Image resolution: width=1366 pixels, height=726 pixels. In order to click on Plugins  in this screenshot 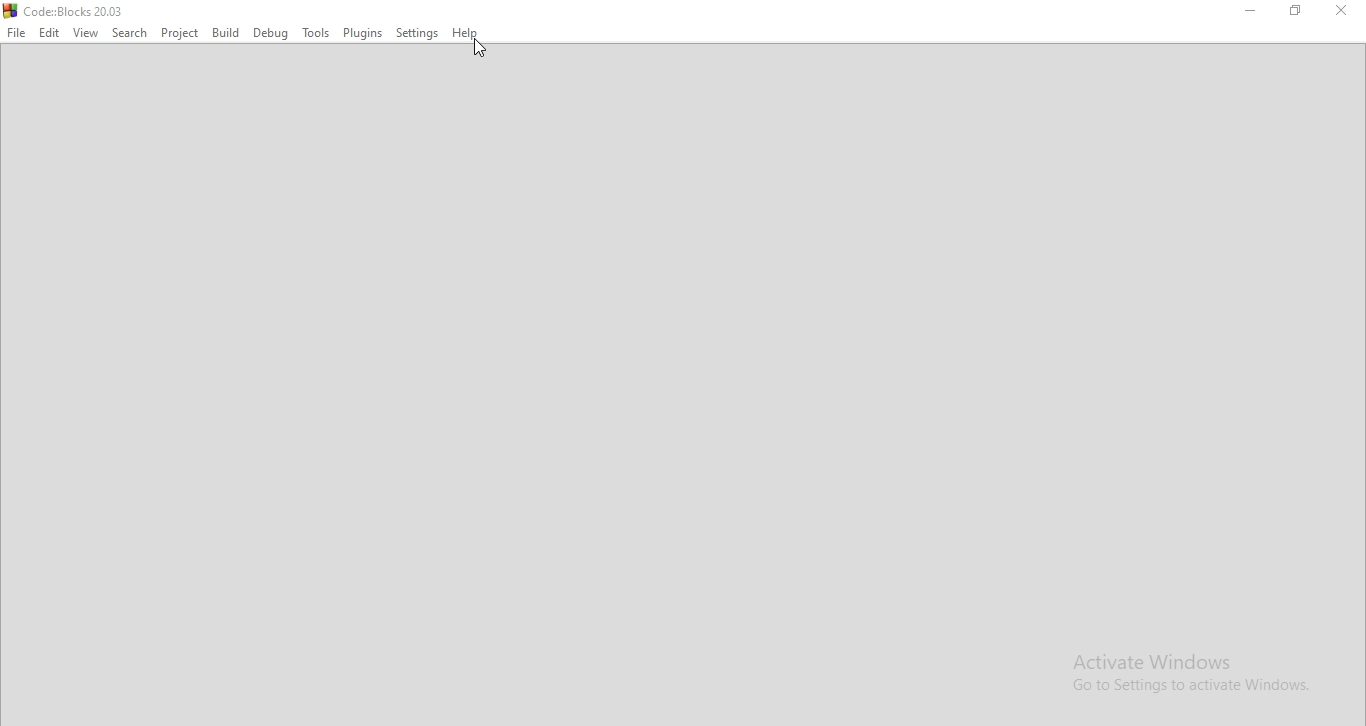, I will do `click(362, 35)`.